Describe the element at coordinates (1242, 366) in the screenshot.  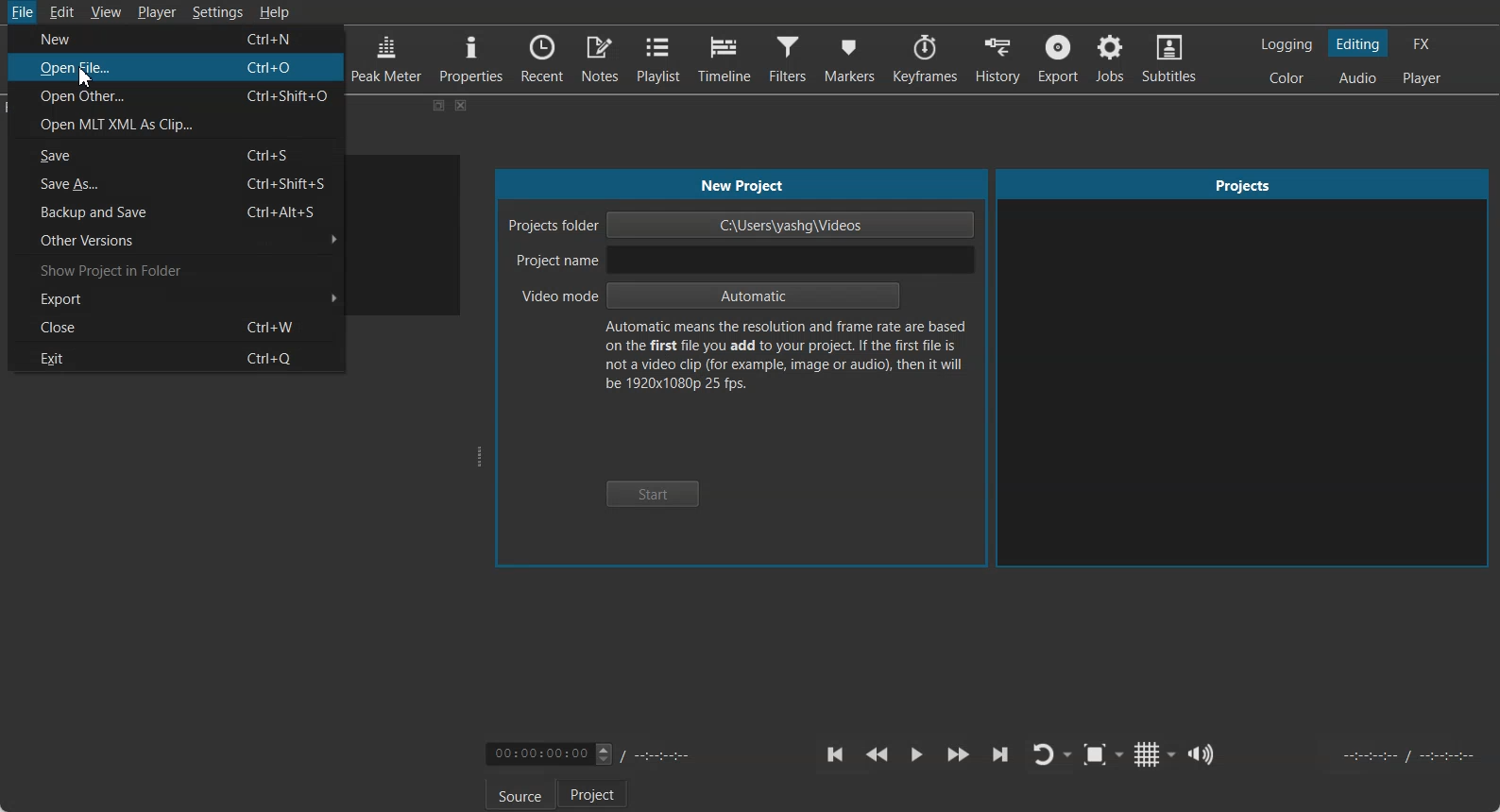
I see `Projects` at that location.